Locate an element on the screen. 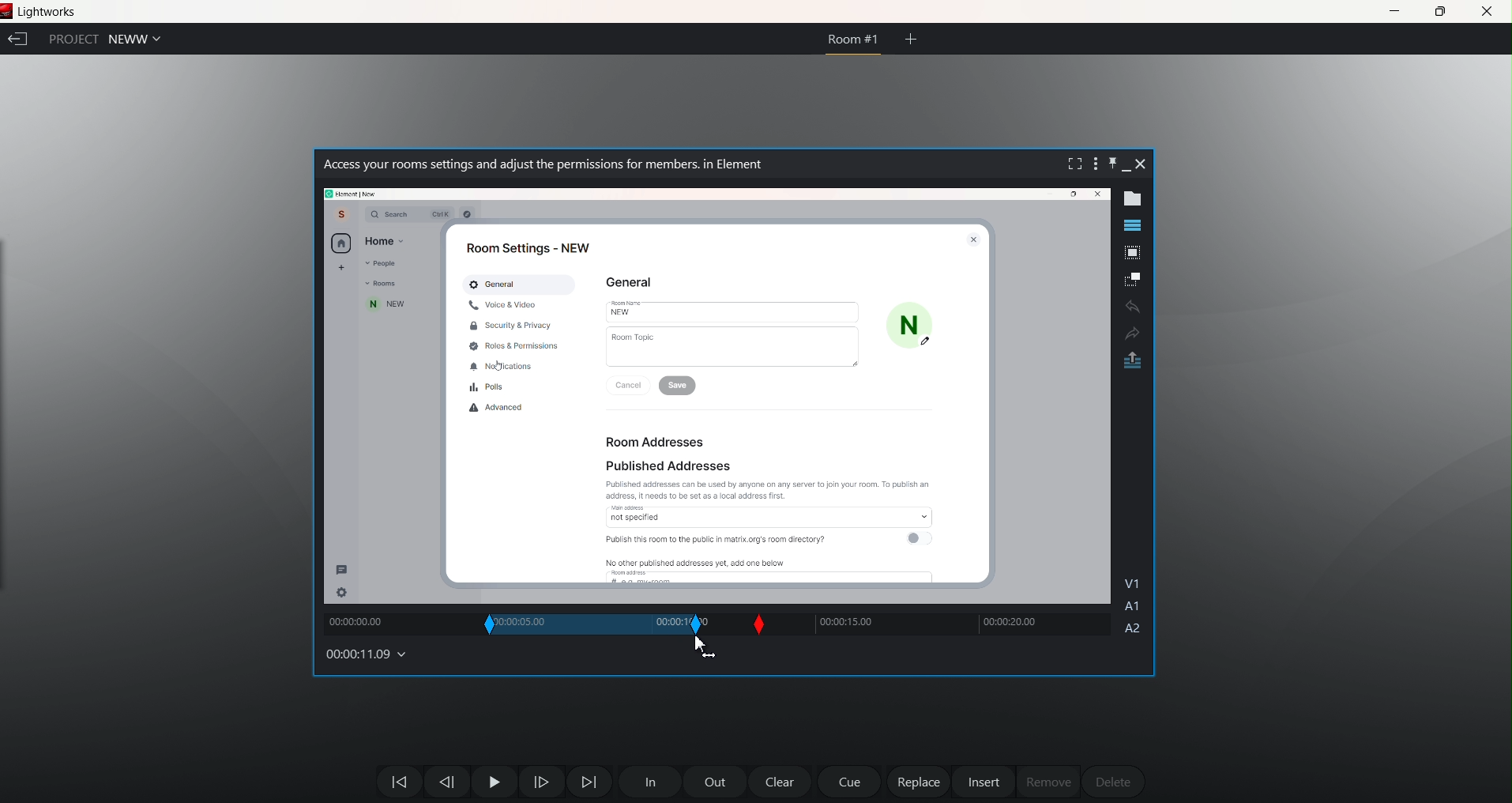 This screenshot has height=803, width=1512. Redo is located at coordinates (1131, 333).